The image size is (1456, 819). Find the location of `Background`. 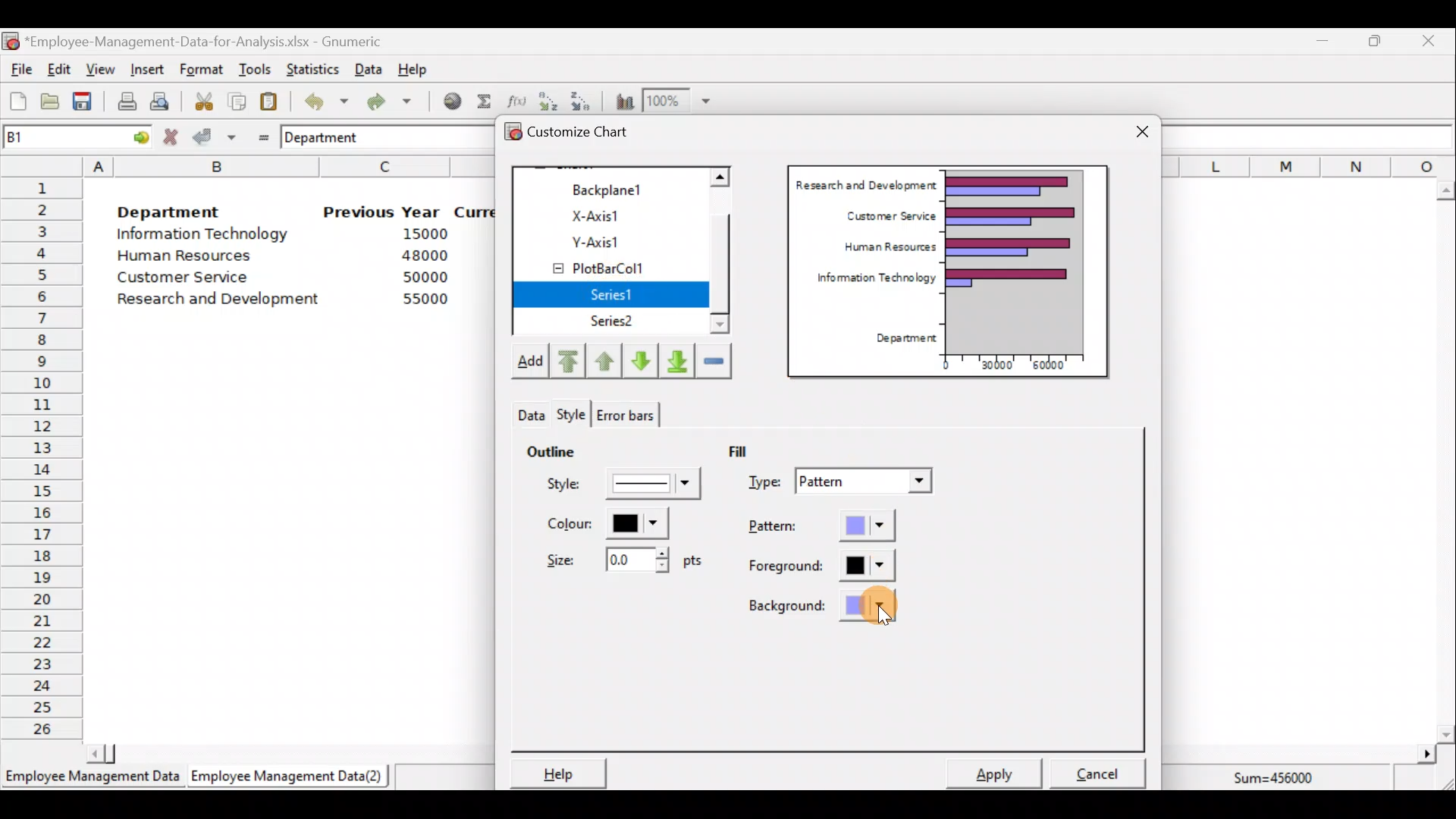

Background is located at coordinates (821, 610).